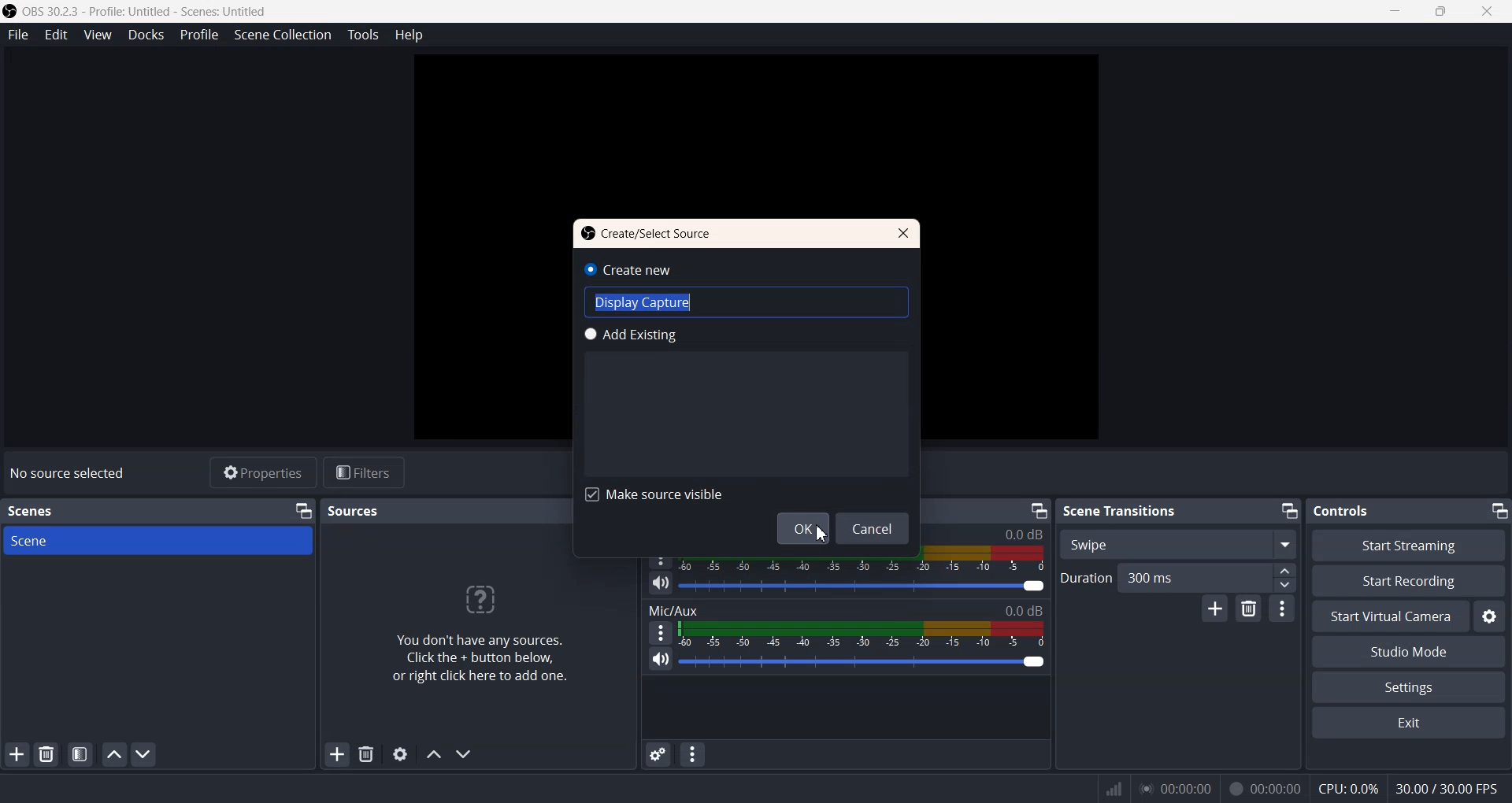  Describe the element at coordinates (863, 586) in the screenshot. I see `Volume Adjuster` at that location.